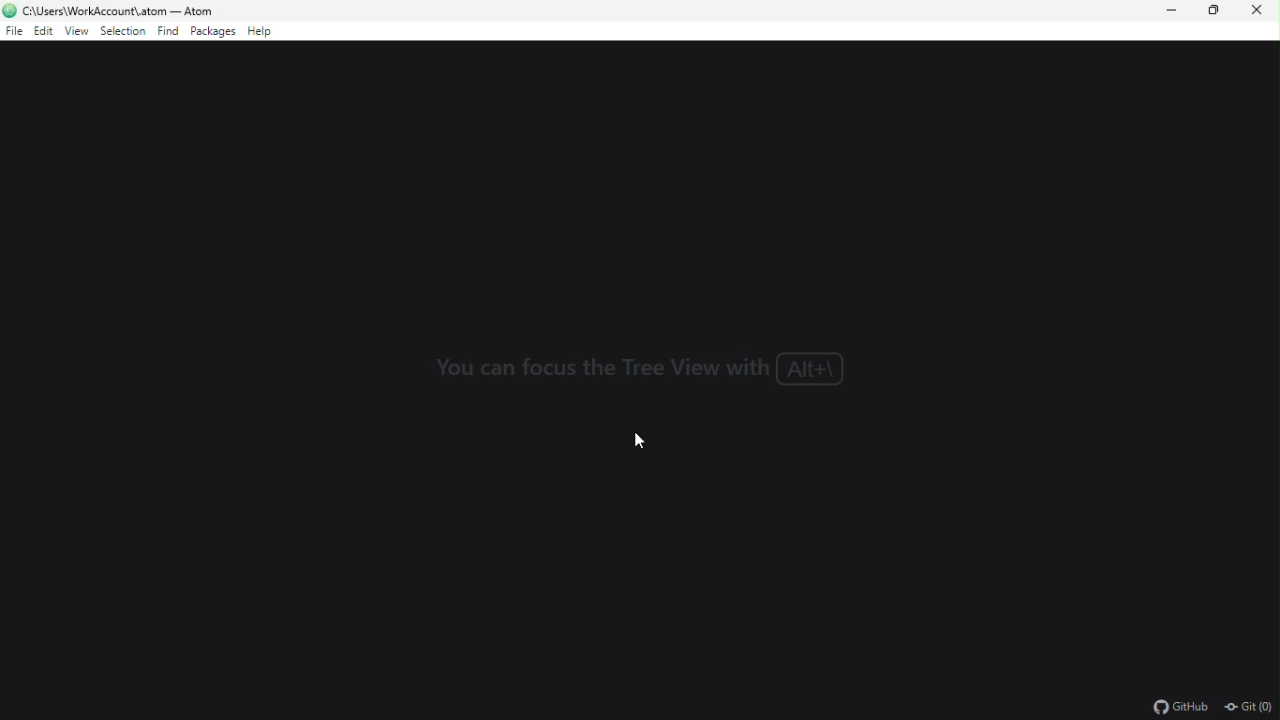 The width and height of the screenshot is (1280, 720). Describe the element at coordinates (212, 32) in the screenshot. I see `packages` at that location.